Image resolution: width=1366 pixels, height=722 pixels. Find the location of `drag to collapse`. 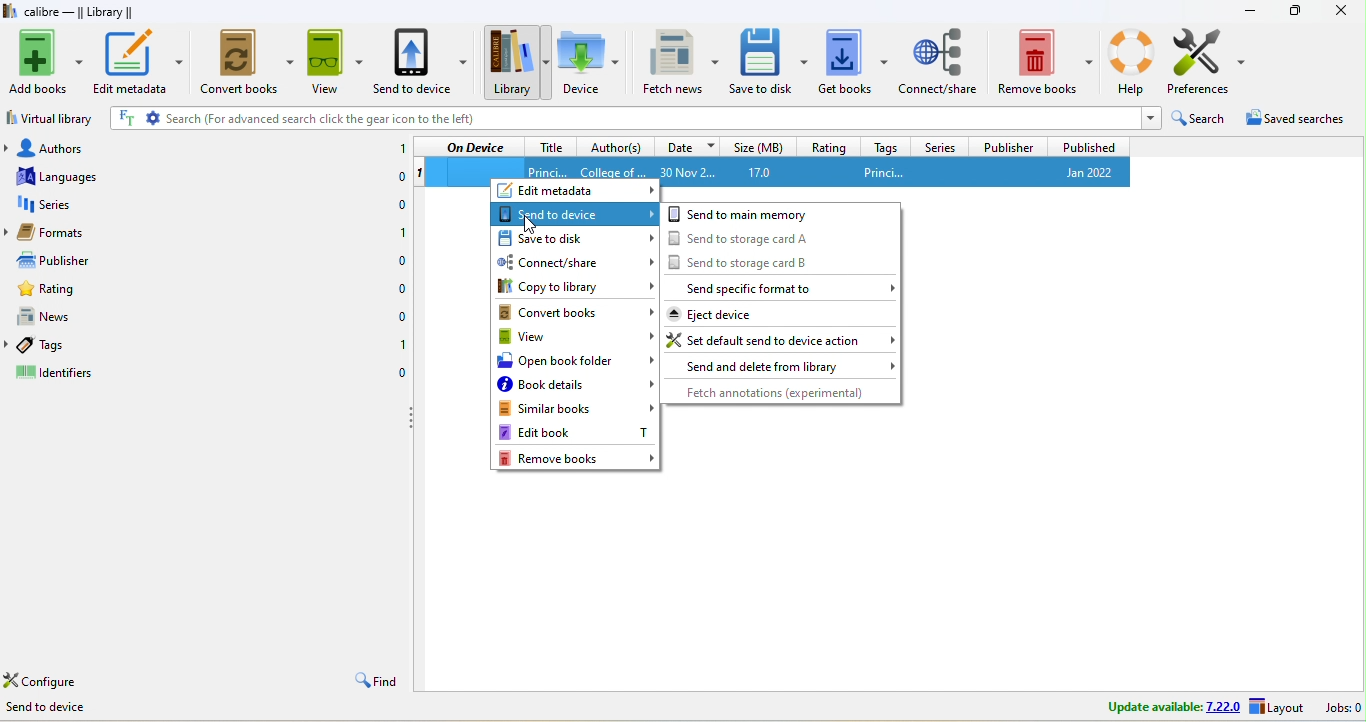

drag to collapse is located at coordinates (414, 420).